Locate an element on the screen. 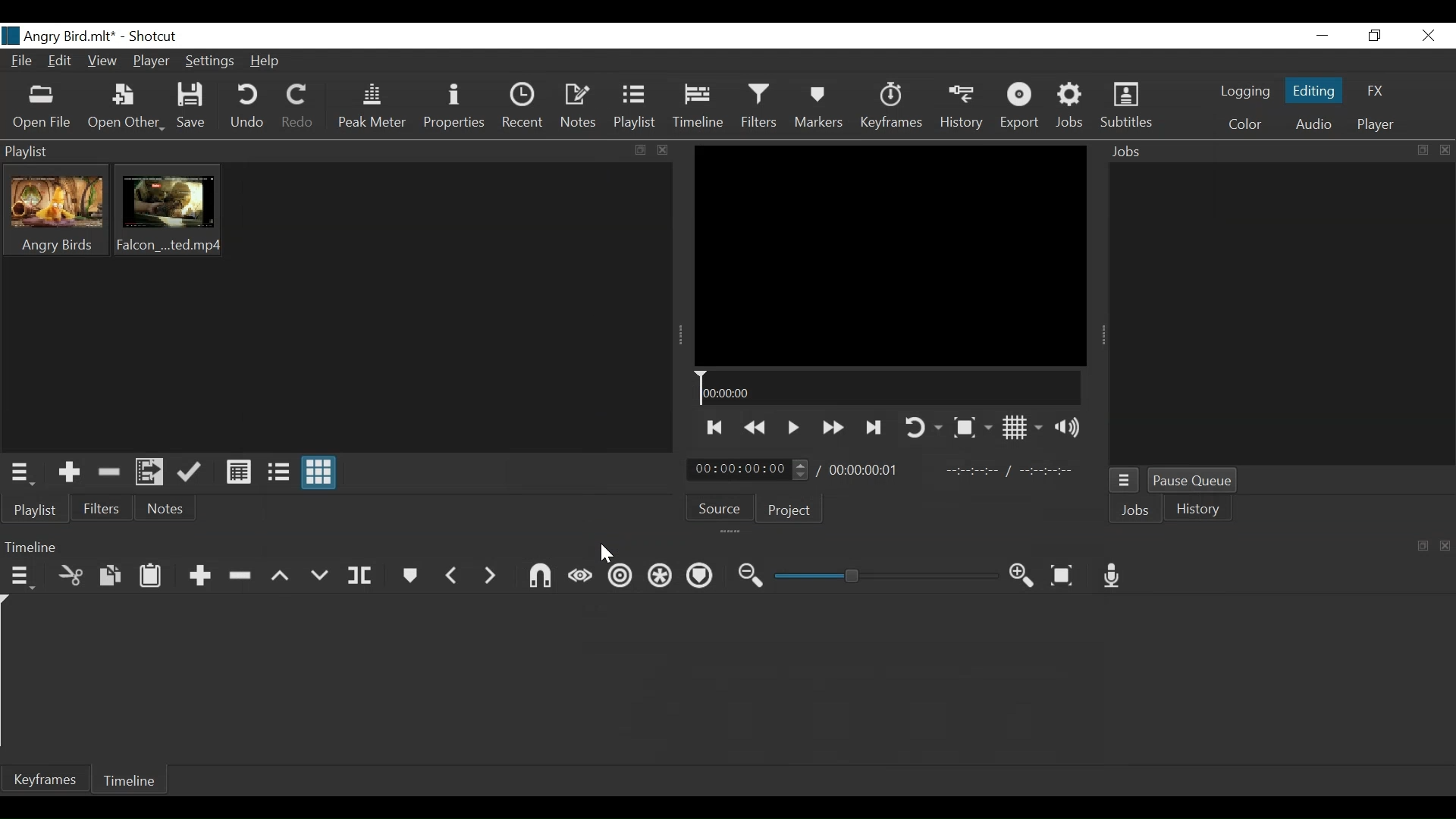  Player is located at coordinates (152, 63).